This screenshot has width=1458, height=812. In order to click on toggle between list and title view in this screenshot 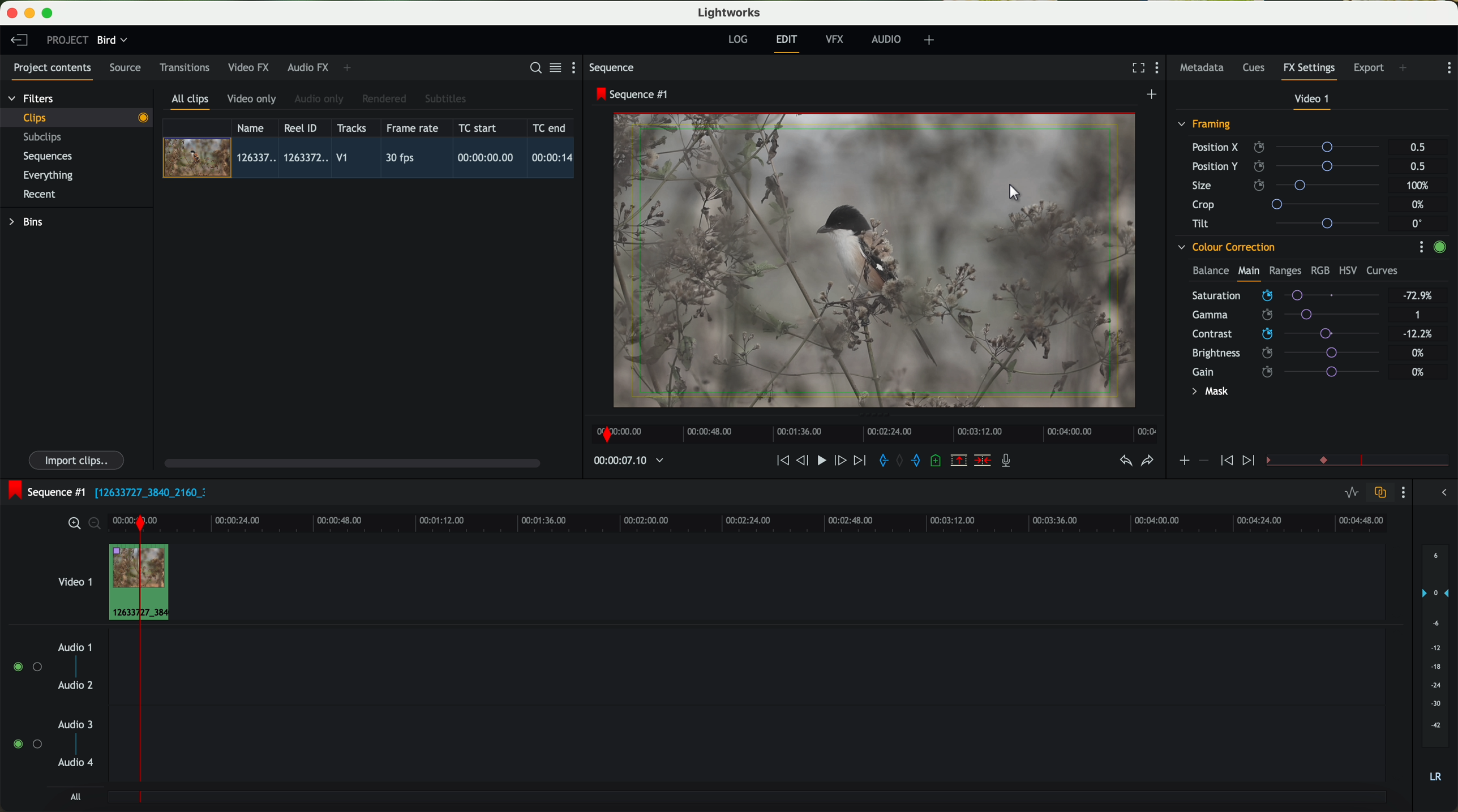, I will do `click(554, 67)`.